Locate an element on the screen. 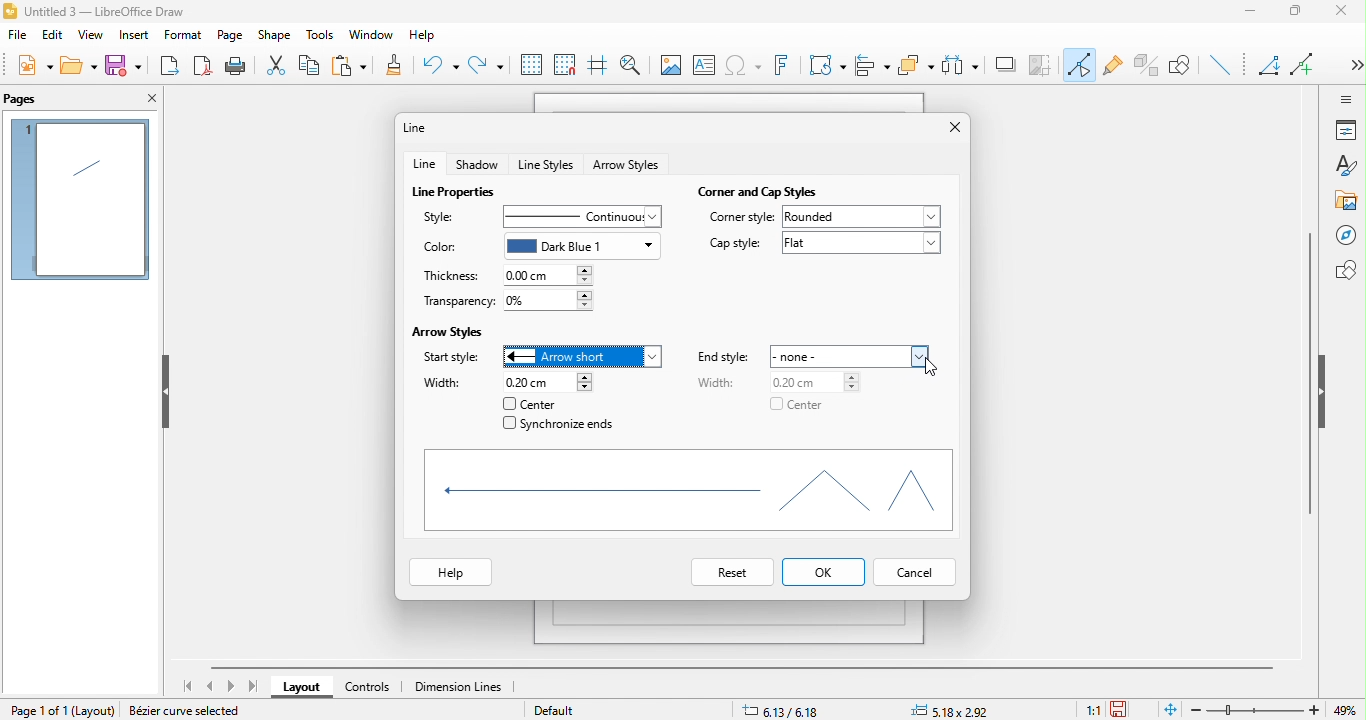  cap style is located at coordinates (732, 244).